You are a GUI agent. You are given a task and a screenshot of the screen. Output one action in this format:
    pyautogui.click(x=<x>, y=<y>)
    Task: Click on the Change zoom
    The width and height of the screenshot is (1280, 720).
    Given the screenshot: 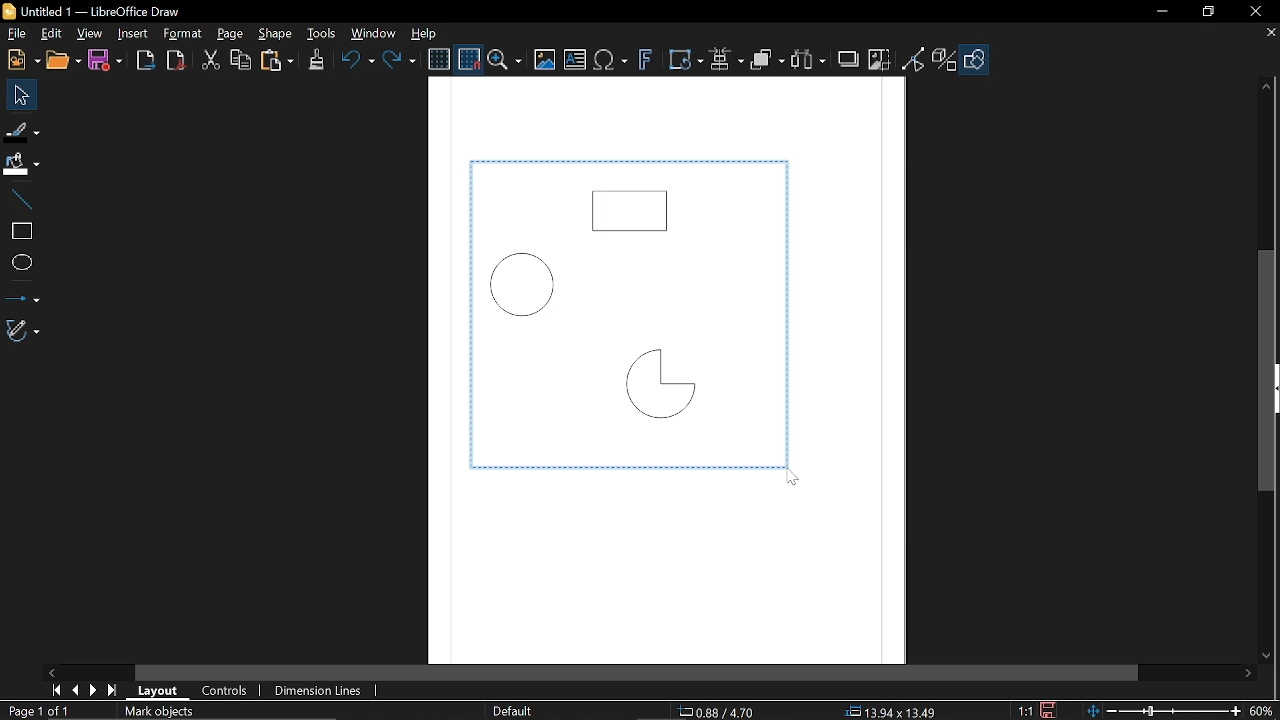 What is the action you would take?
    pyautogui.click(x=1159, y=710)
    